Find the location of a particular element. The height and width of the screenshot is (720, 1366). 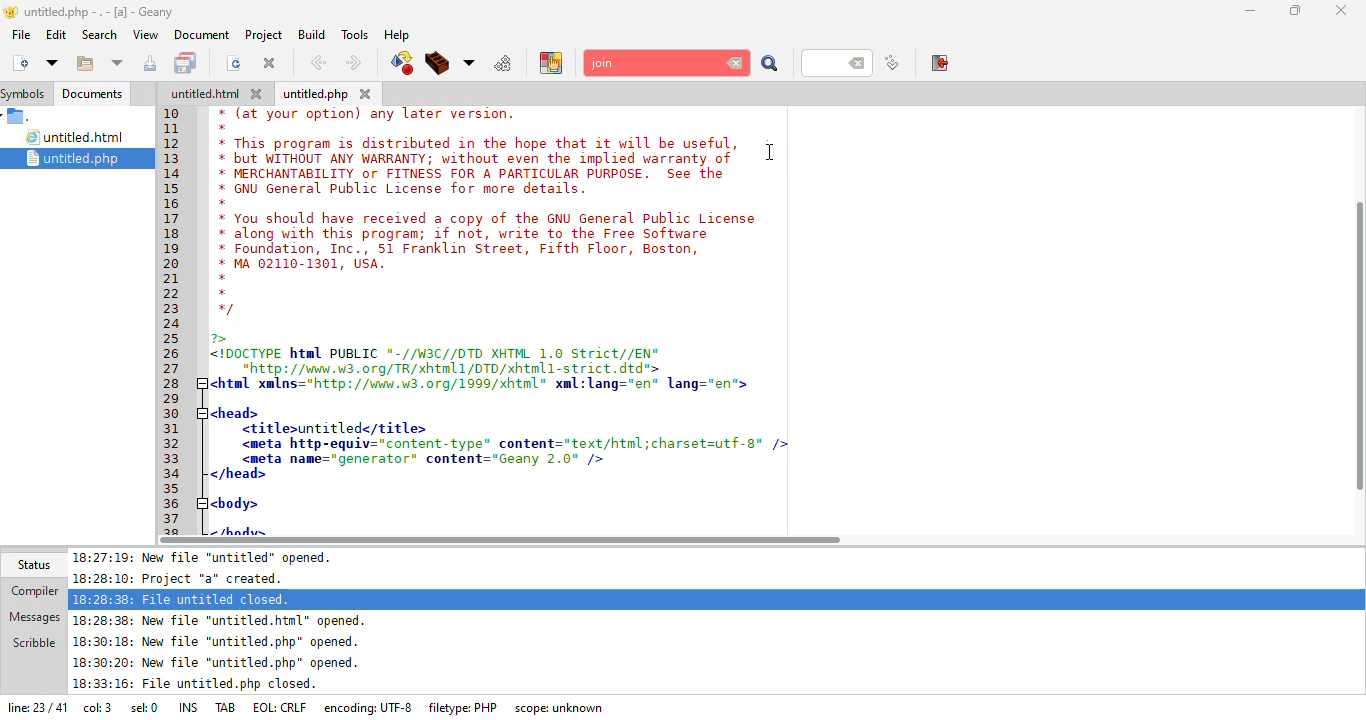

* MERCHANTABILITY or FITNESS FOR A PARTICULAR PURPOSE.  See the is located at coordinates (478, 175).